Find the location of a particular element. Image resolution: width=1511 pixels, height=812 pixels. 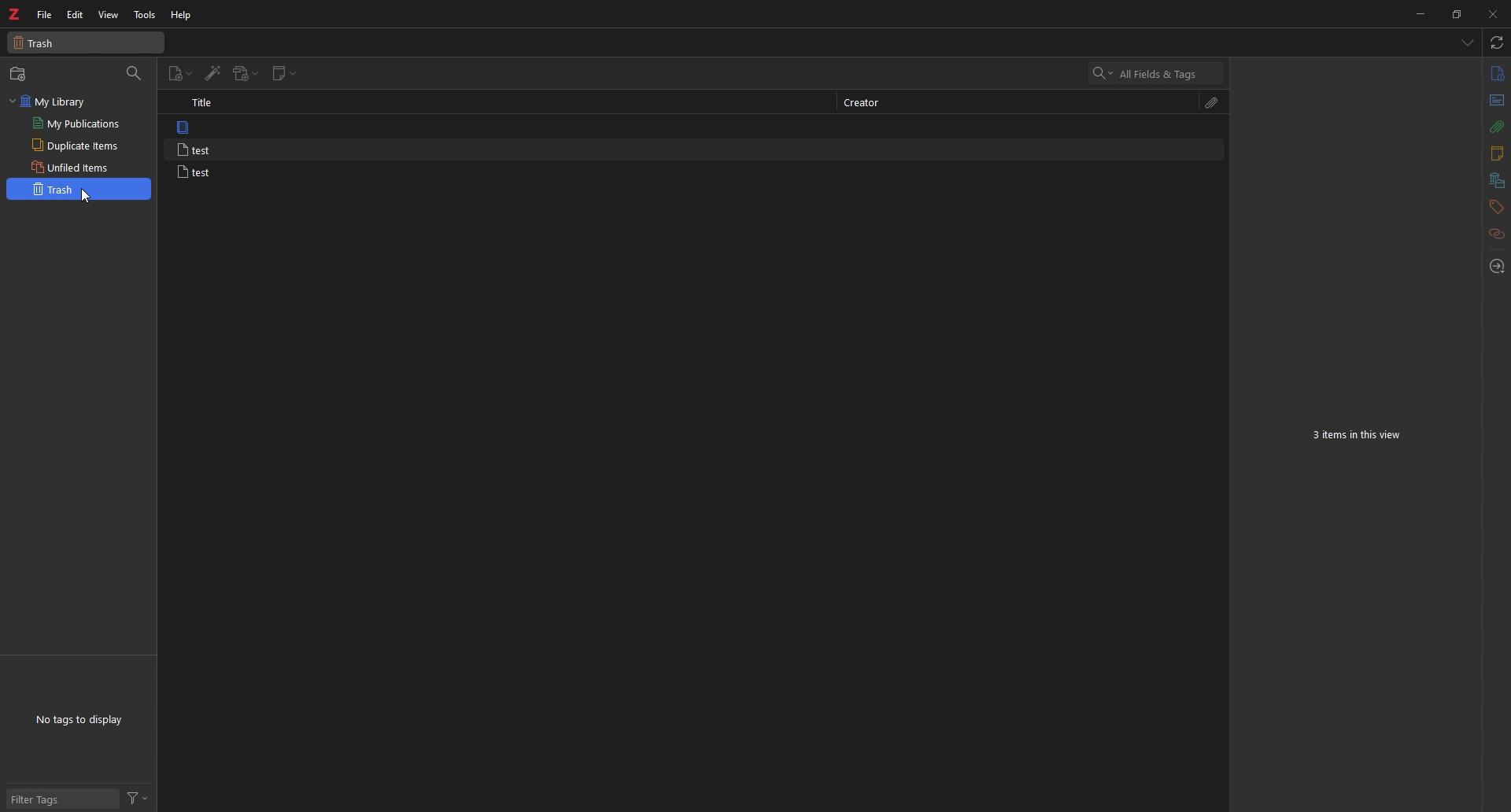

Creator is located at coordinates (860, 101).